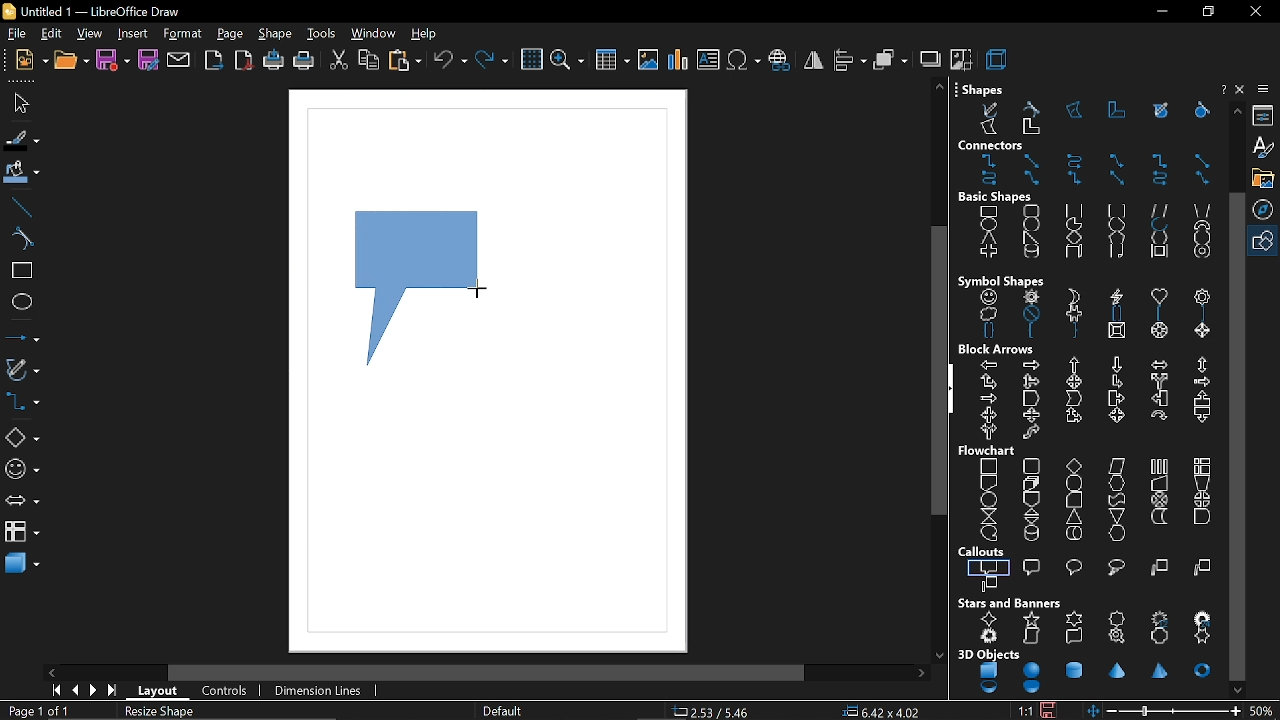  I want to click on display, so click(1117, 533).